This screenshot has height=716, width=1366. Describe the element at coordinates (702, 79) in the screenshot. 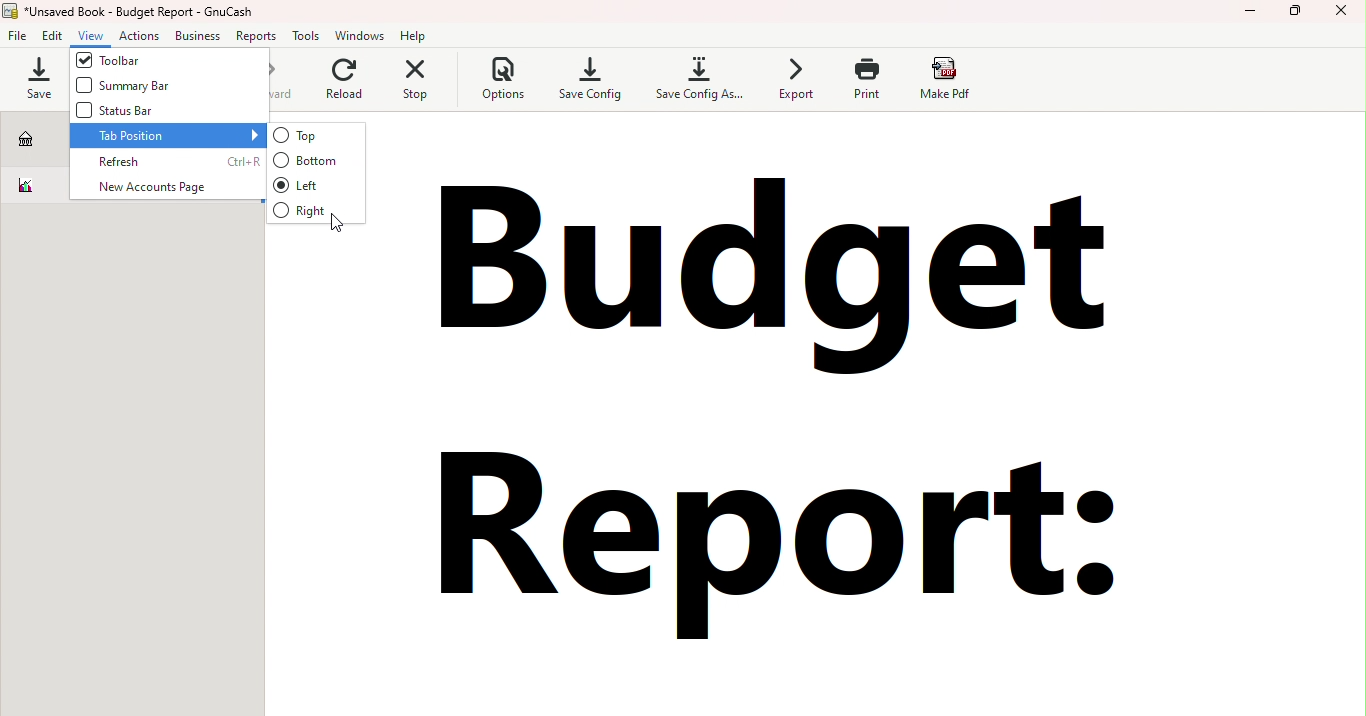

I see `Save config as` at that location.